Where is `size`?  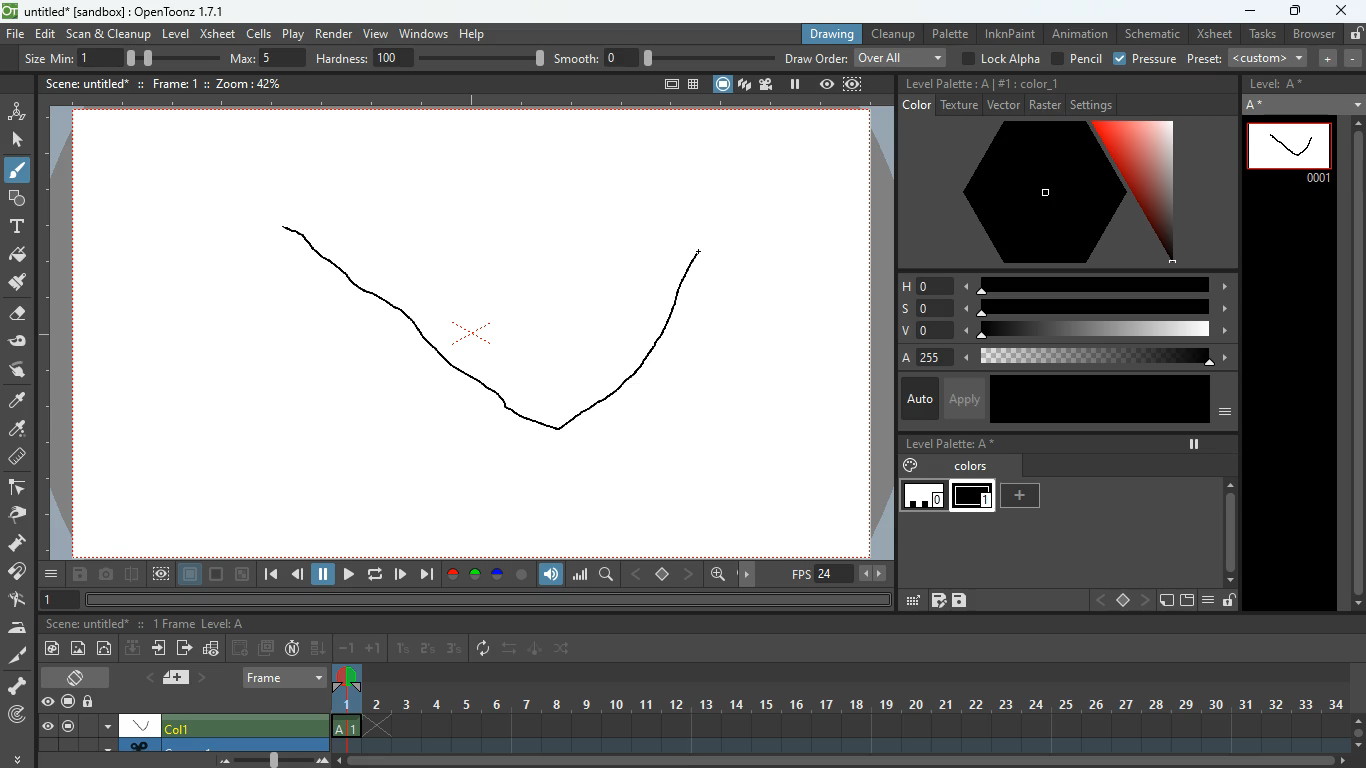
size is located at coordinates (166, 57).